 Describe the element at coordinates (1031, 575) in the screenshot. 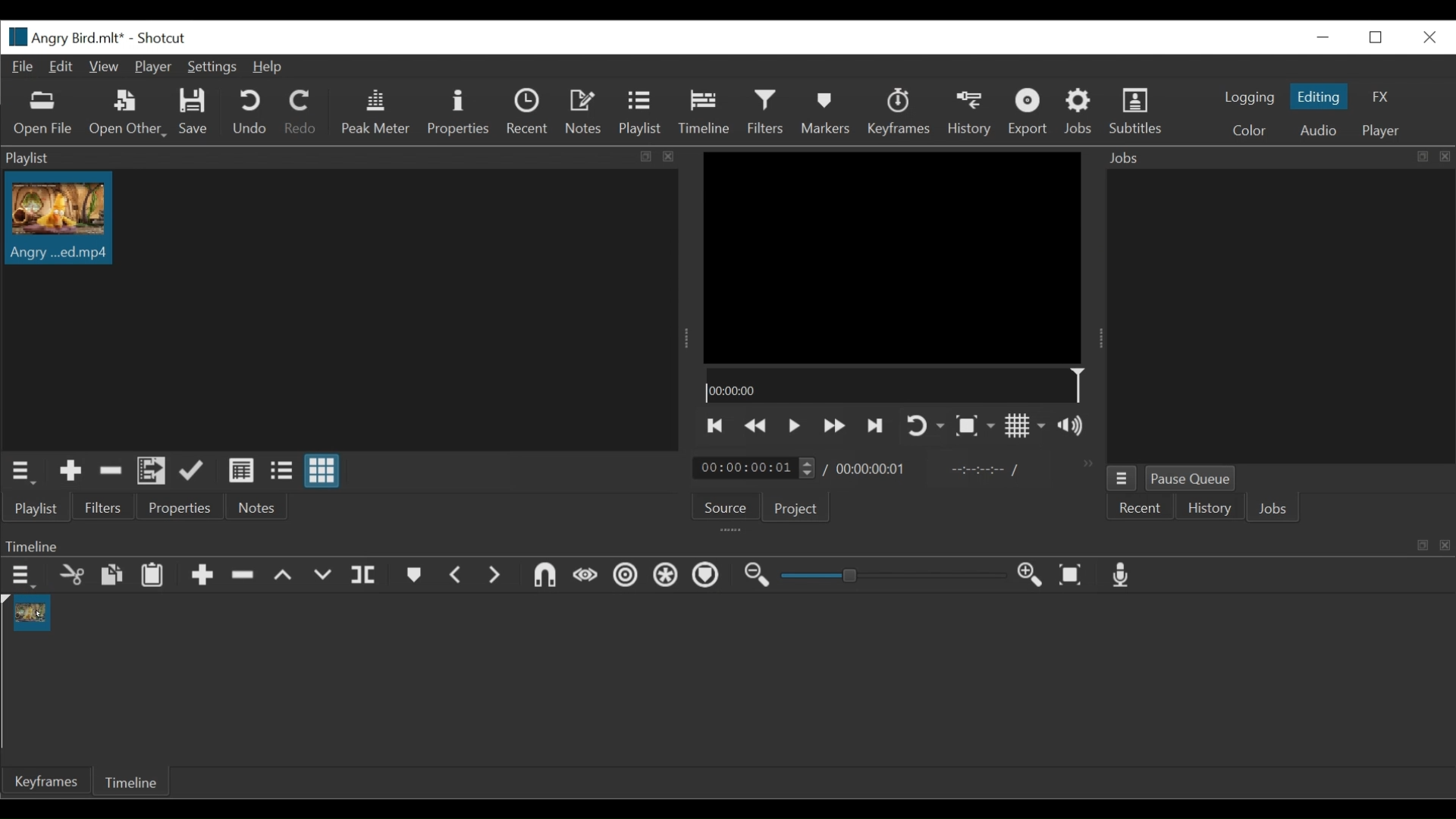

I see `Zoom timeline in` at that location.